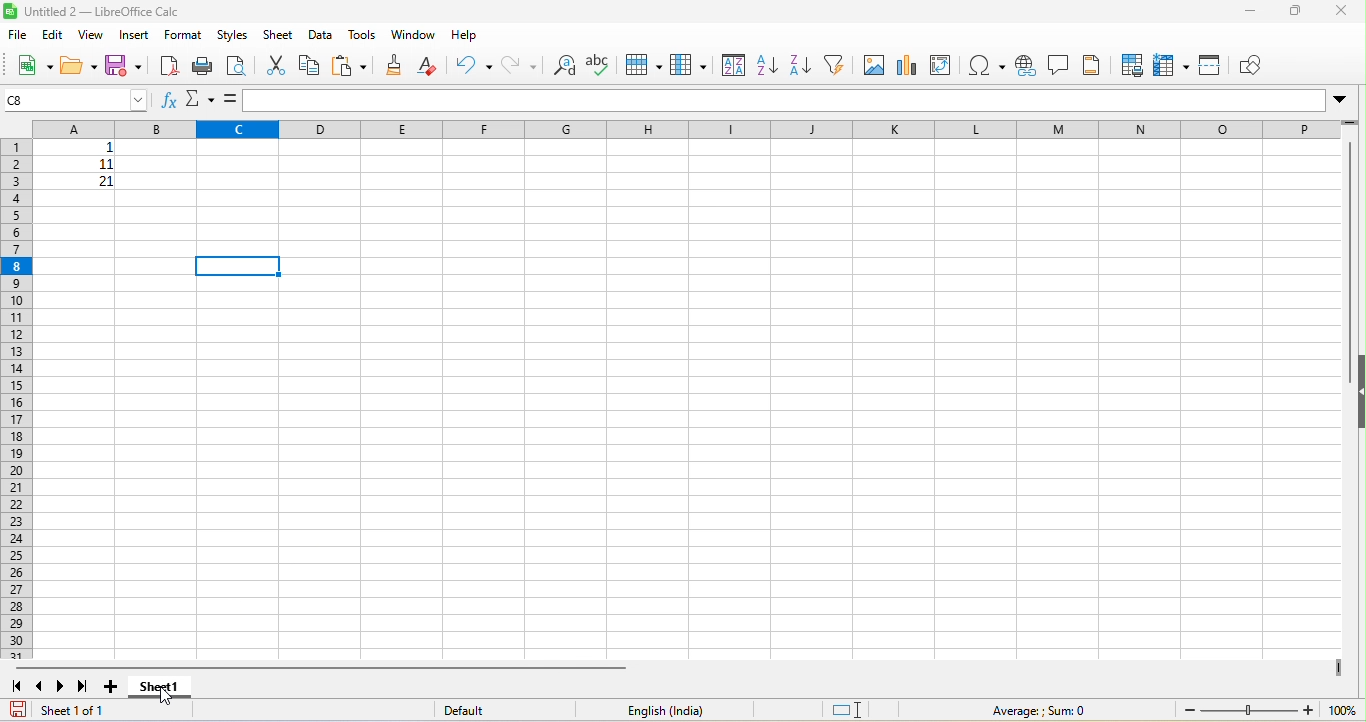  I want to click on save, so click(19, 708).